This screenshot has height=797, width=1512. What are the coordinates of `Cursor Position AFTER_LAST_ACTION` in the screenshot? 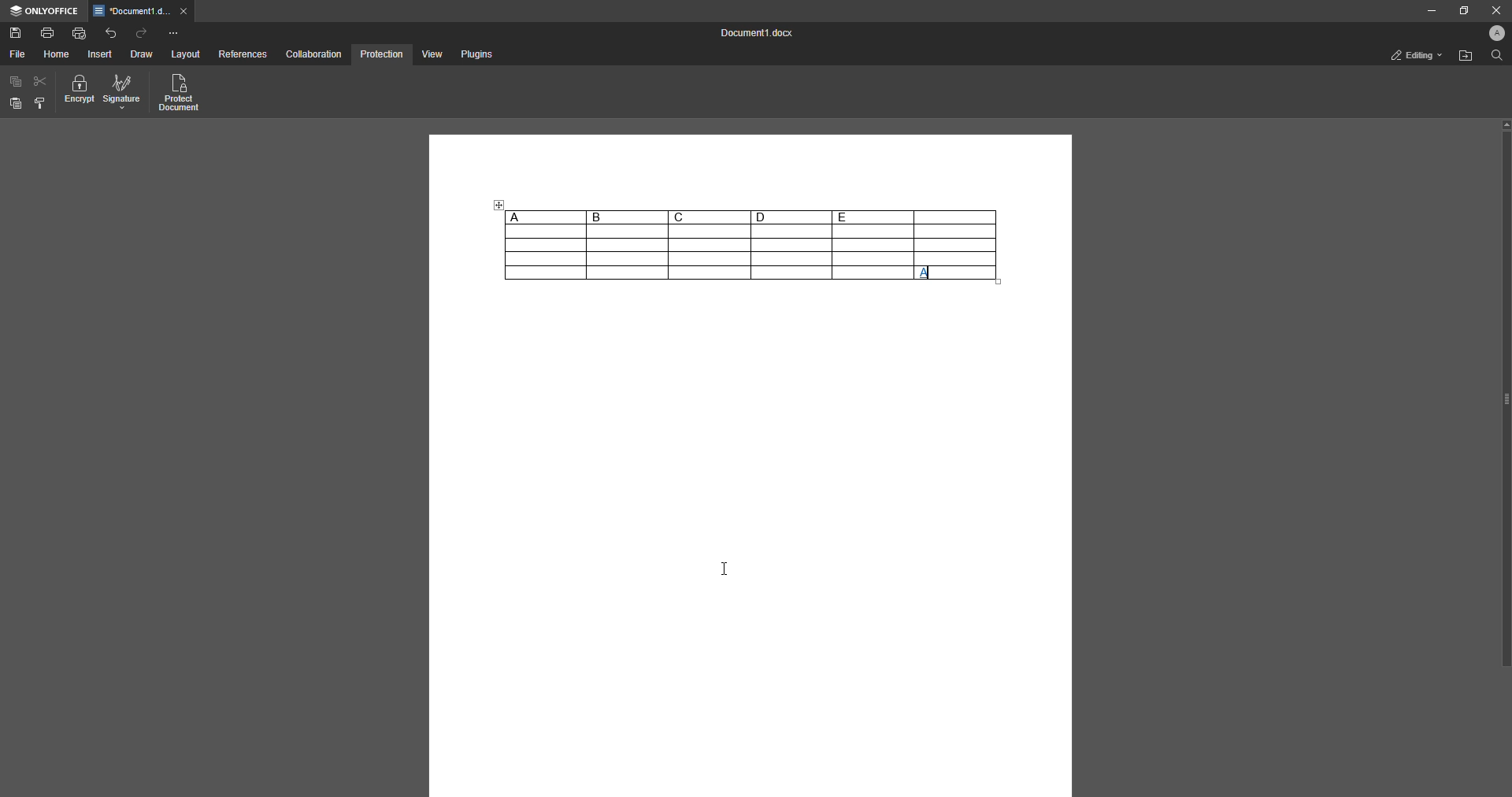 It's located at (728, 568).